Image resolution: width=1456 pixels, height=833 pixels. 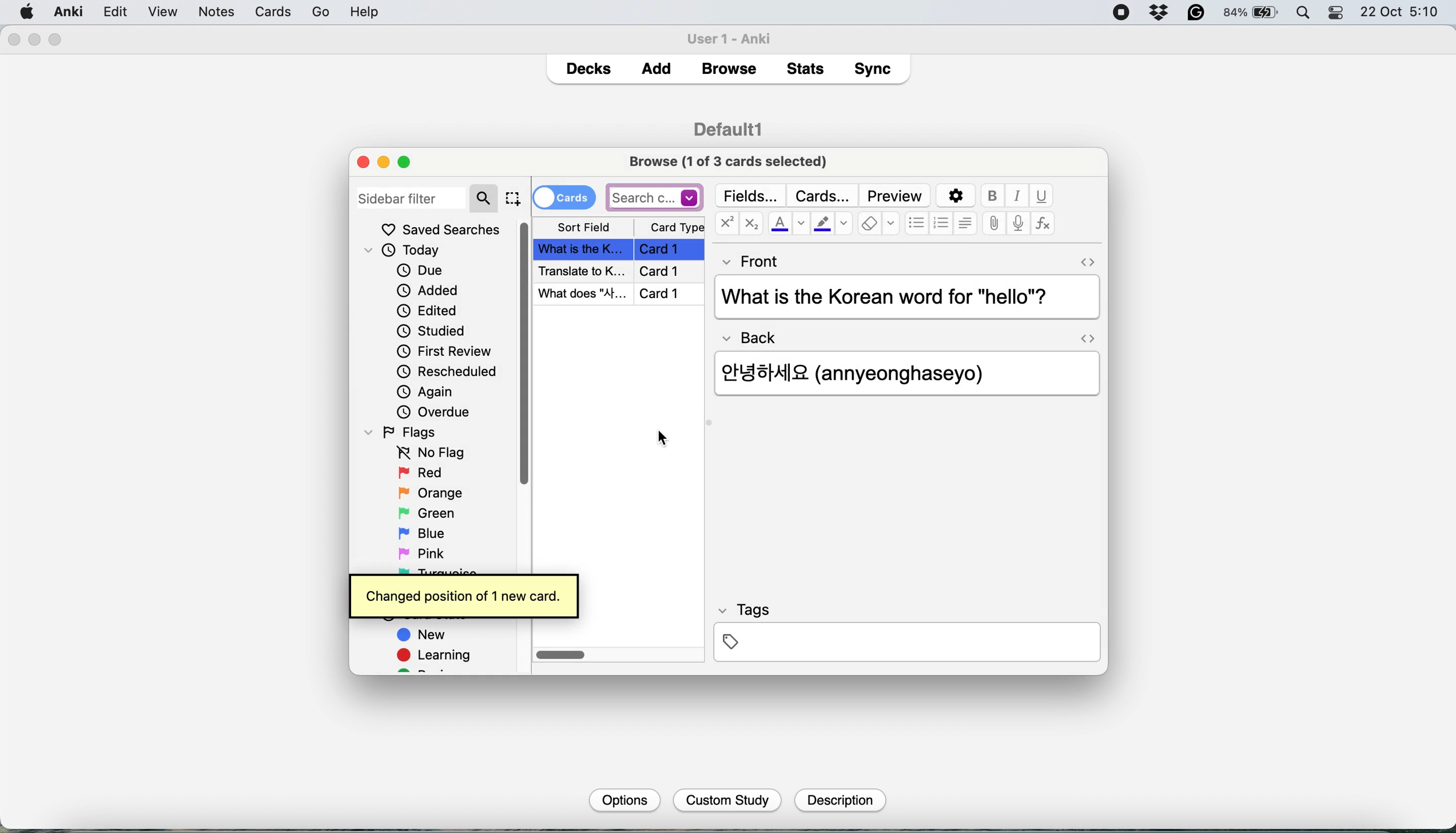 I want to click on side bar vertical scroll bar, so click(x=526, y=354).